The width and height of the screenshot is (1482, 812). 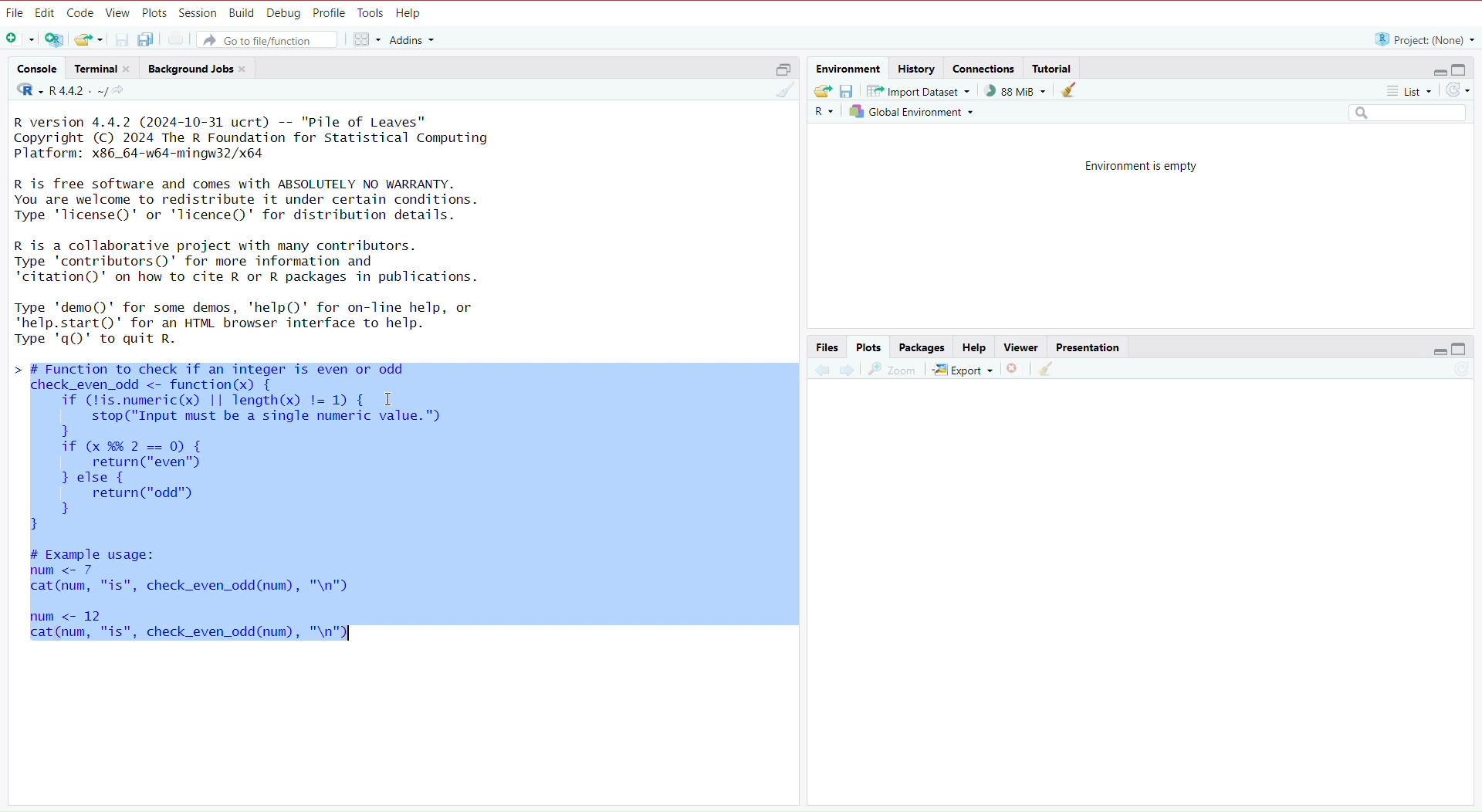 What do you see at coordinates (18, 40) in the screenshot?
I see `new script` at bounding box center [18, 40].